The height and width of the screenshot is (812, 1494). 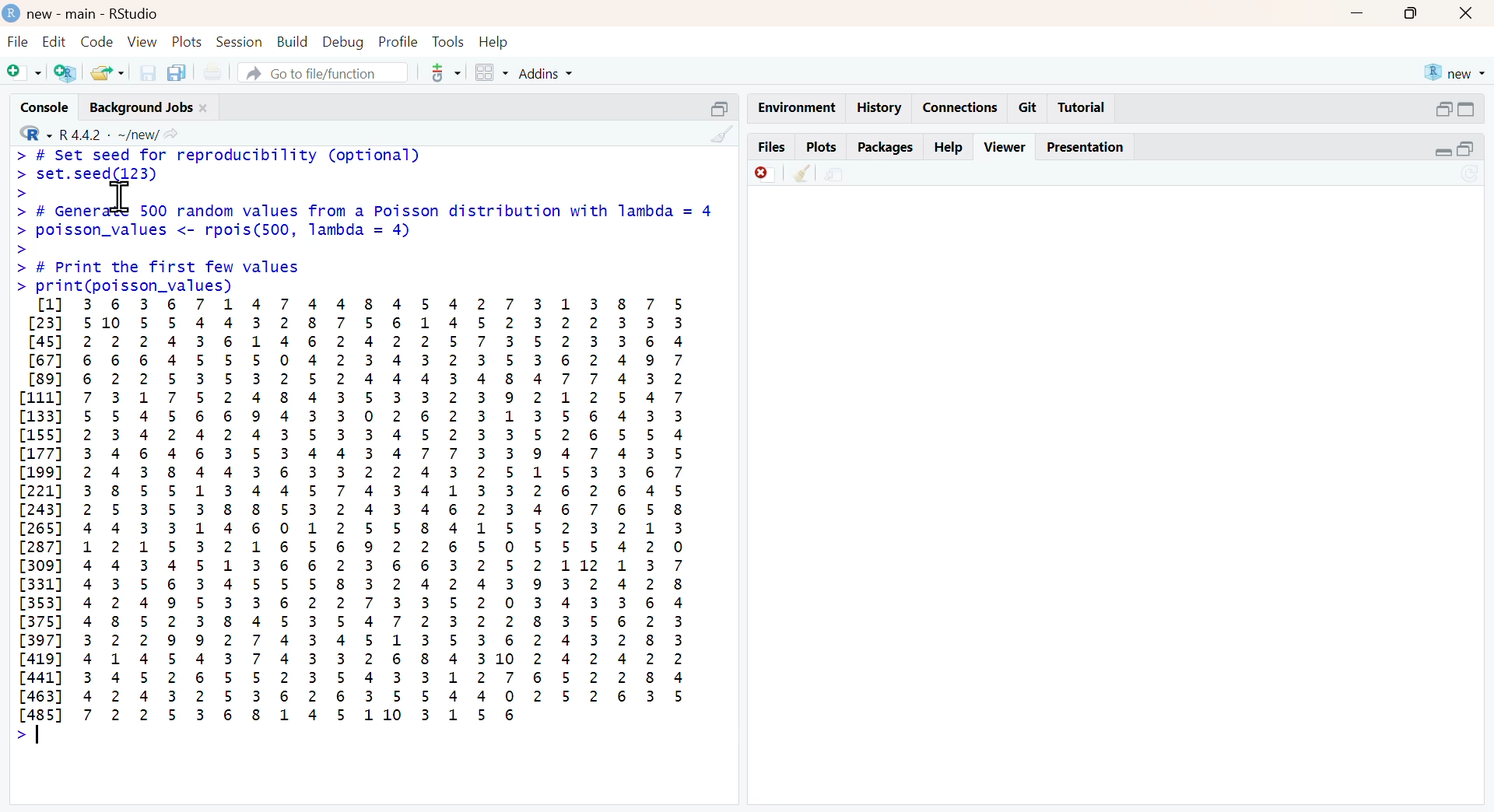 What do you see at coordinates (1029, 107) in the screenshot?
I see `git` at bounding box center [1029, 107].